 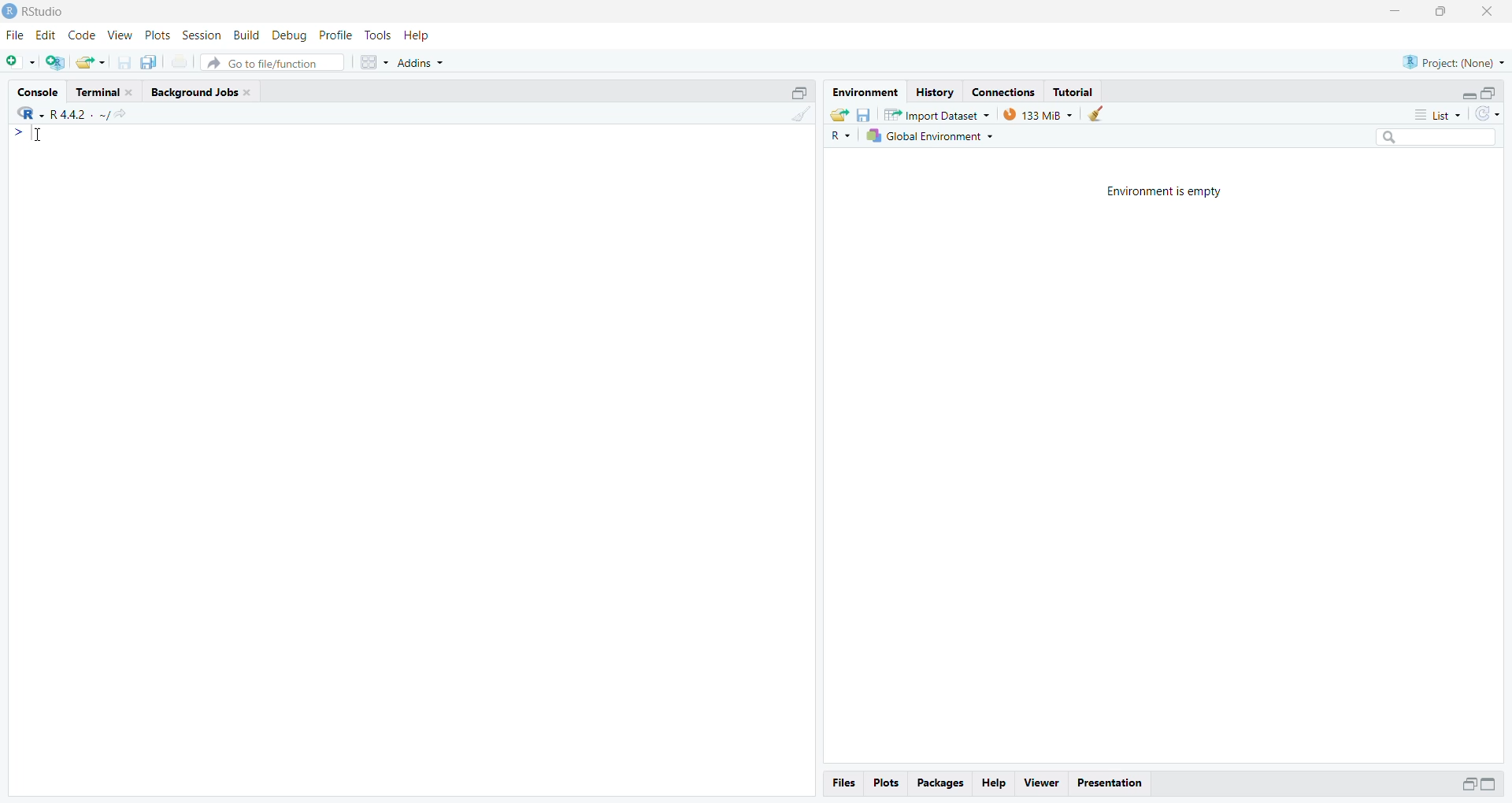 What do you see at coordinates (150, 63) in the screenshot?
I see `Save all open documents (CTRL + ALT + S)` at bounding box center [150, 63].